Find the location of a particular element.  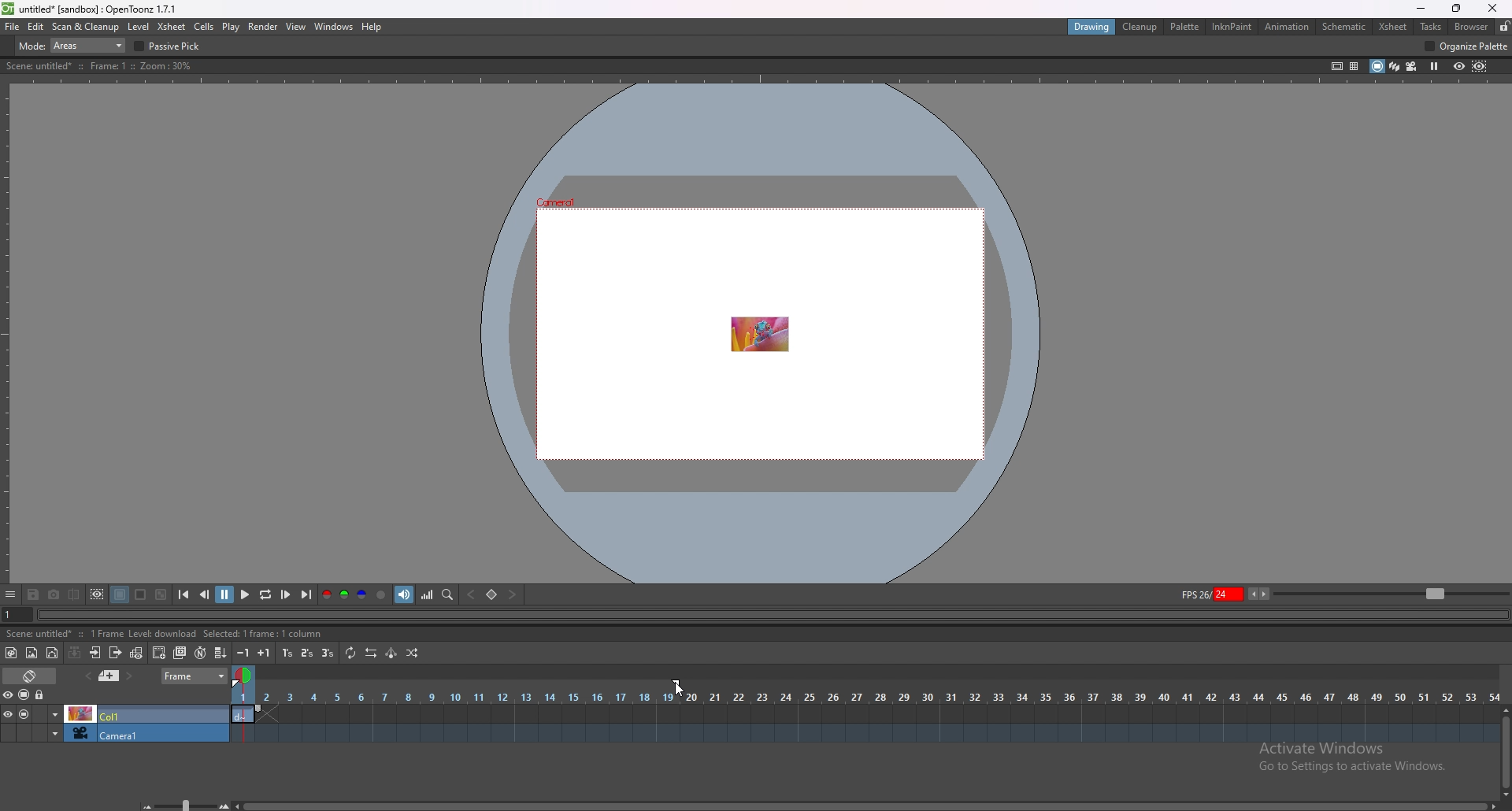

description is located at coordinates (167, 634).